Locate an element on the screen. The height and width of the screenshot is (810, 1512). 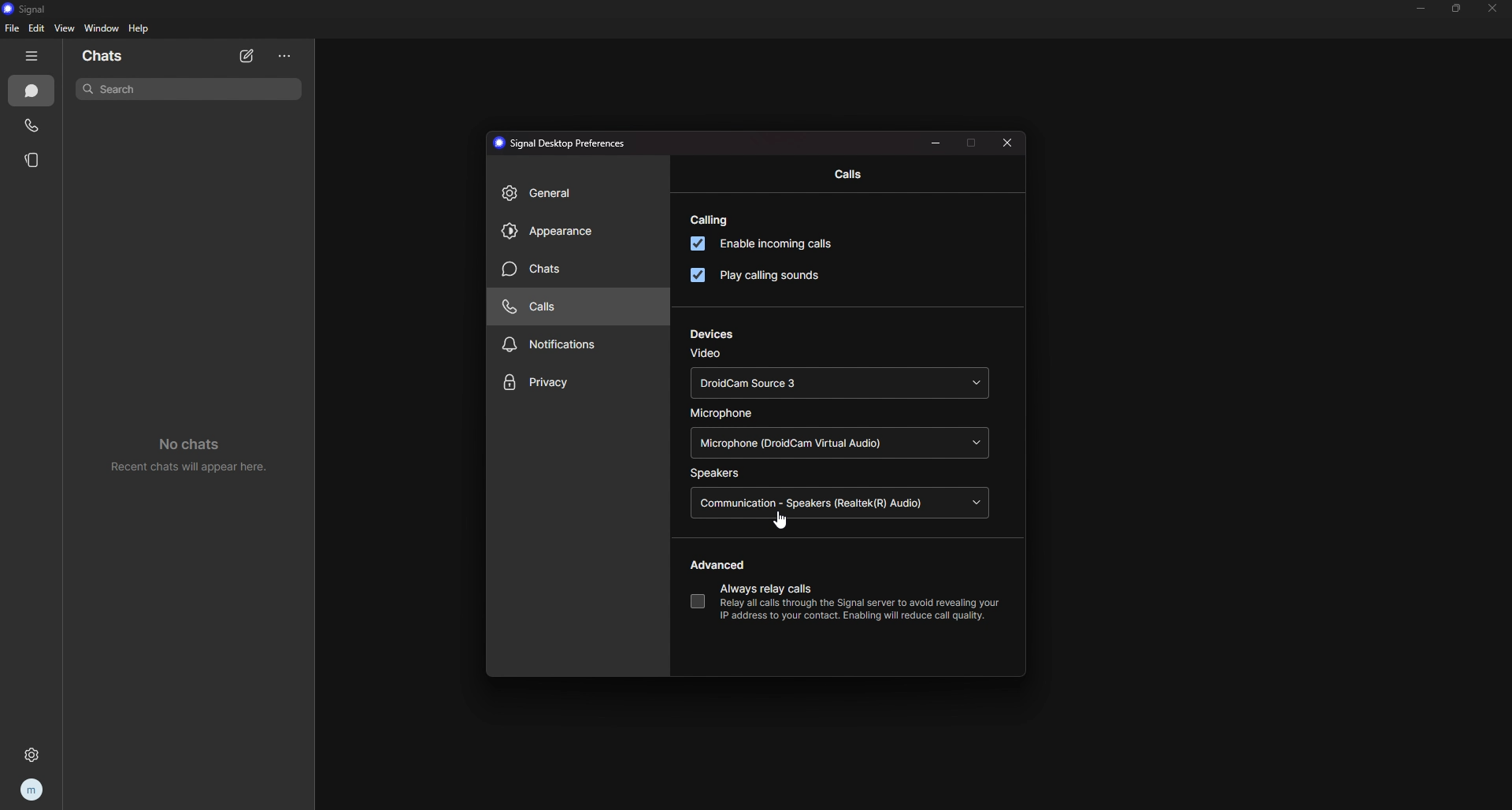
notifications is located at coordinates (570, 345).